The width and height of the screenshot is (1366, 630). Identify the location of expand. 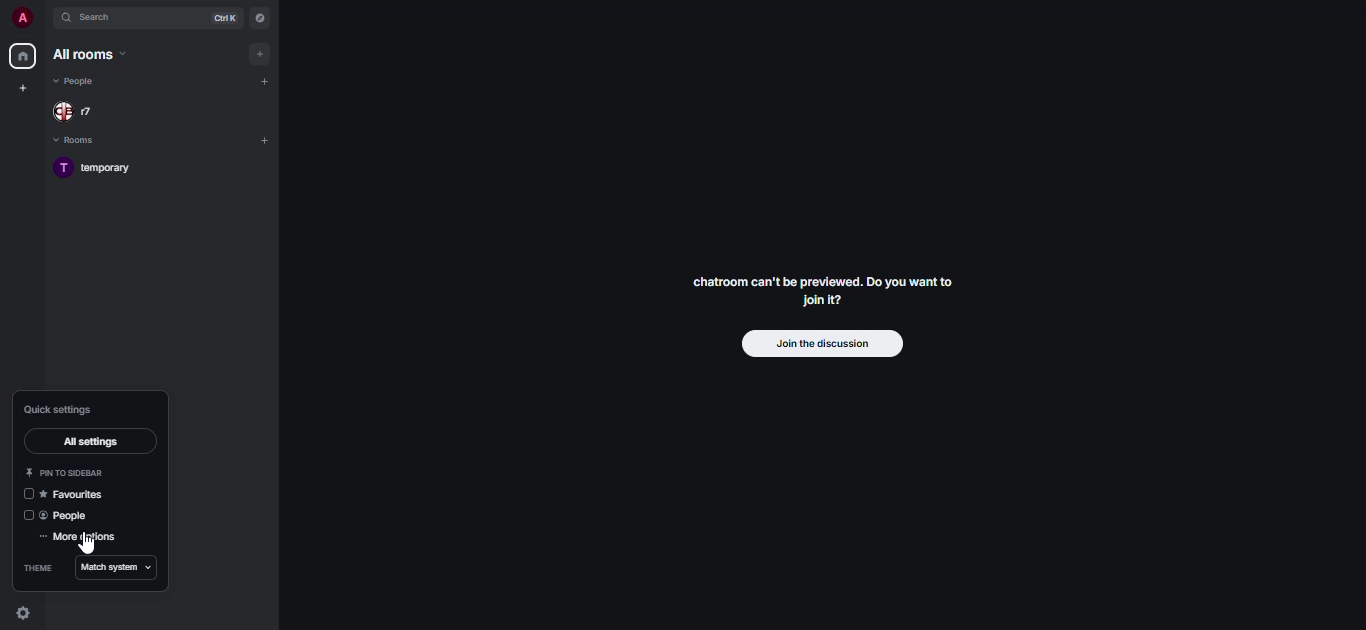
(41, 19).